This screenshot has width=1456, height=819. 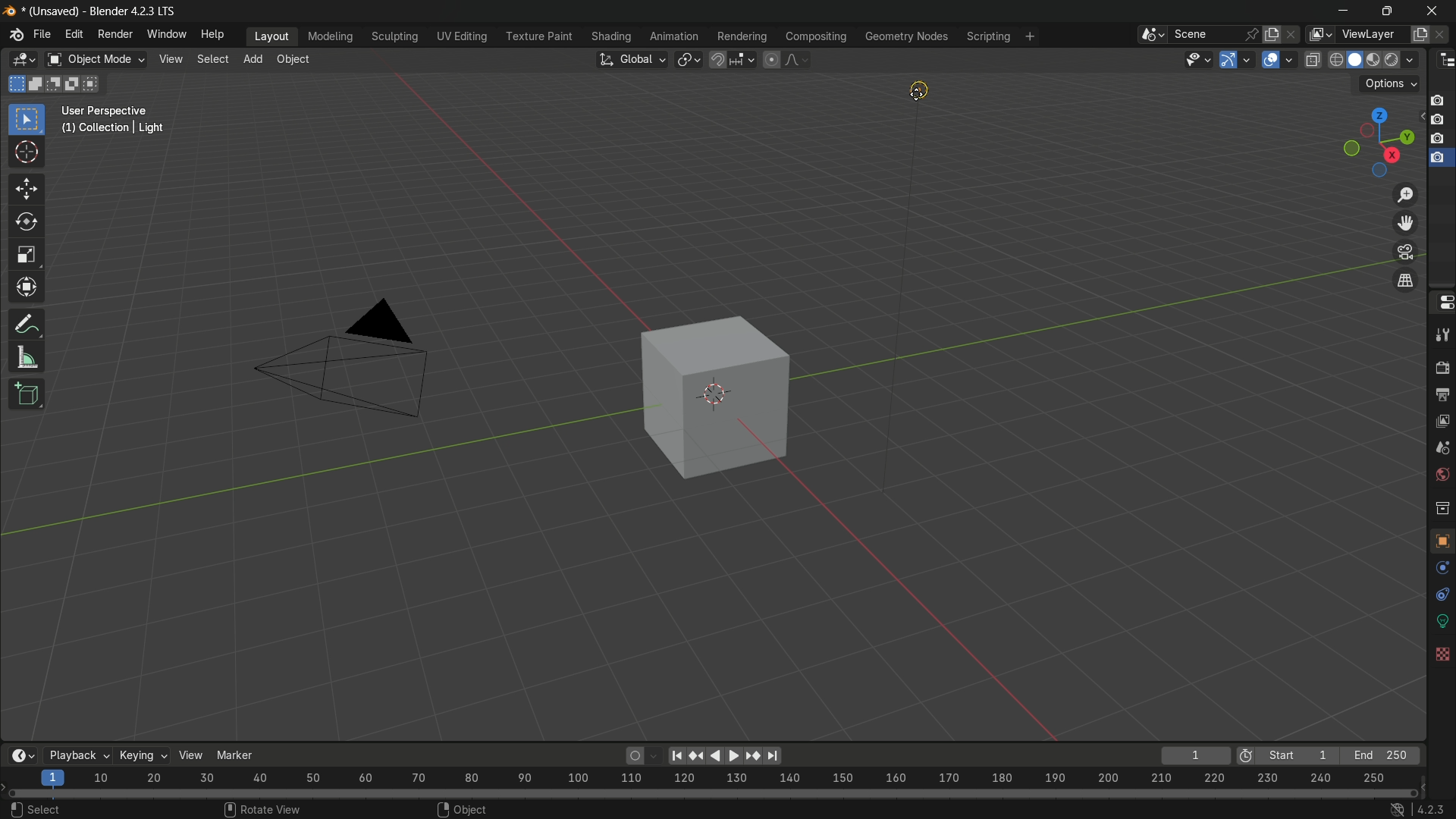 What do you see at coordinates (990, 37) in the screenshot?
I see `scripting menu` at bounding box center [990, 37].